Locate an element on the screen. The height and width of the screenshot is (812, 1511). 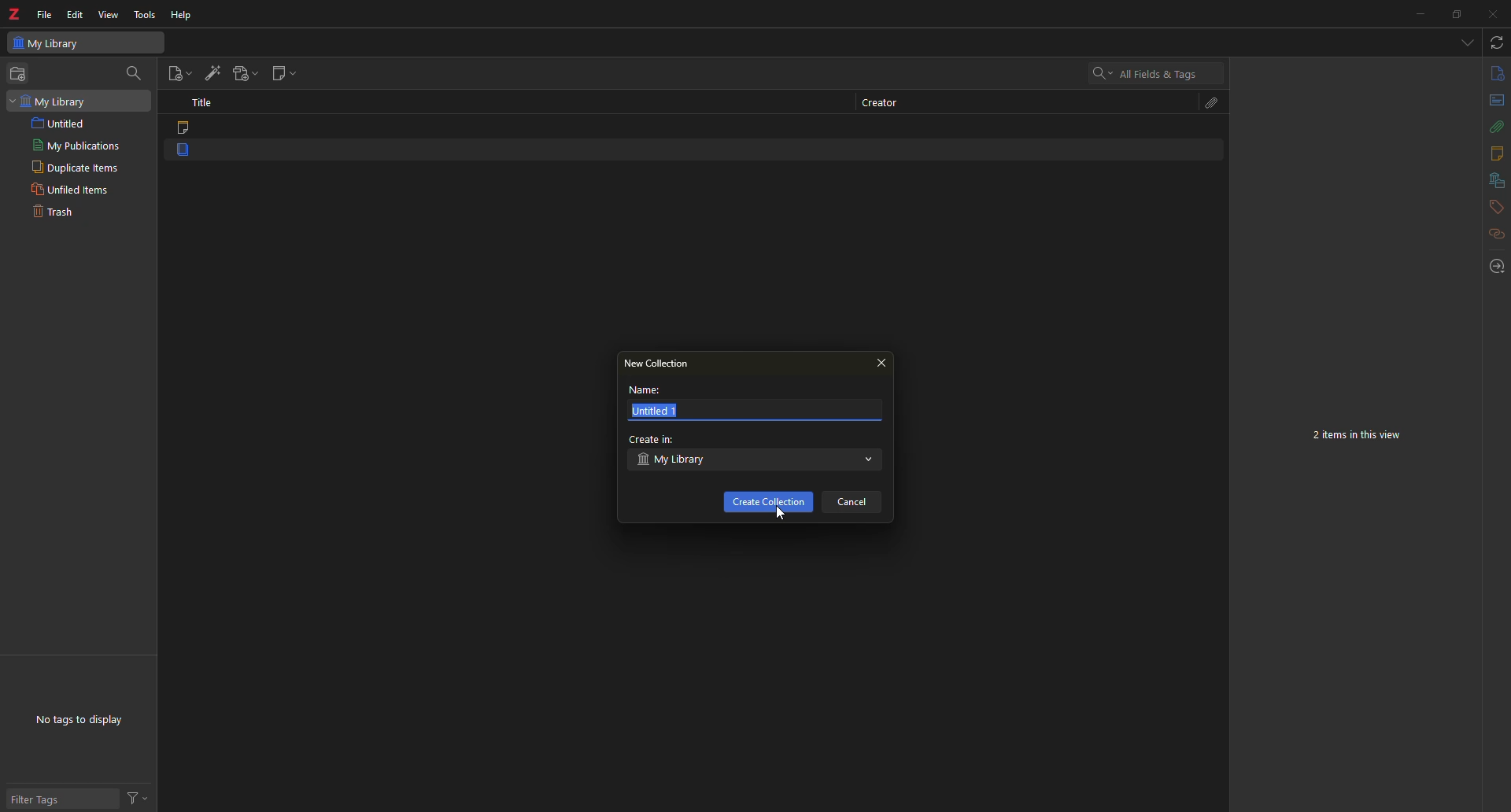
related is located at coordinates (1488, 238).